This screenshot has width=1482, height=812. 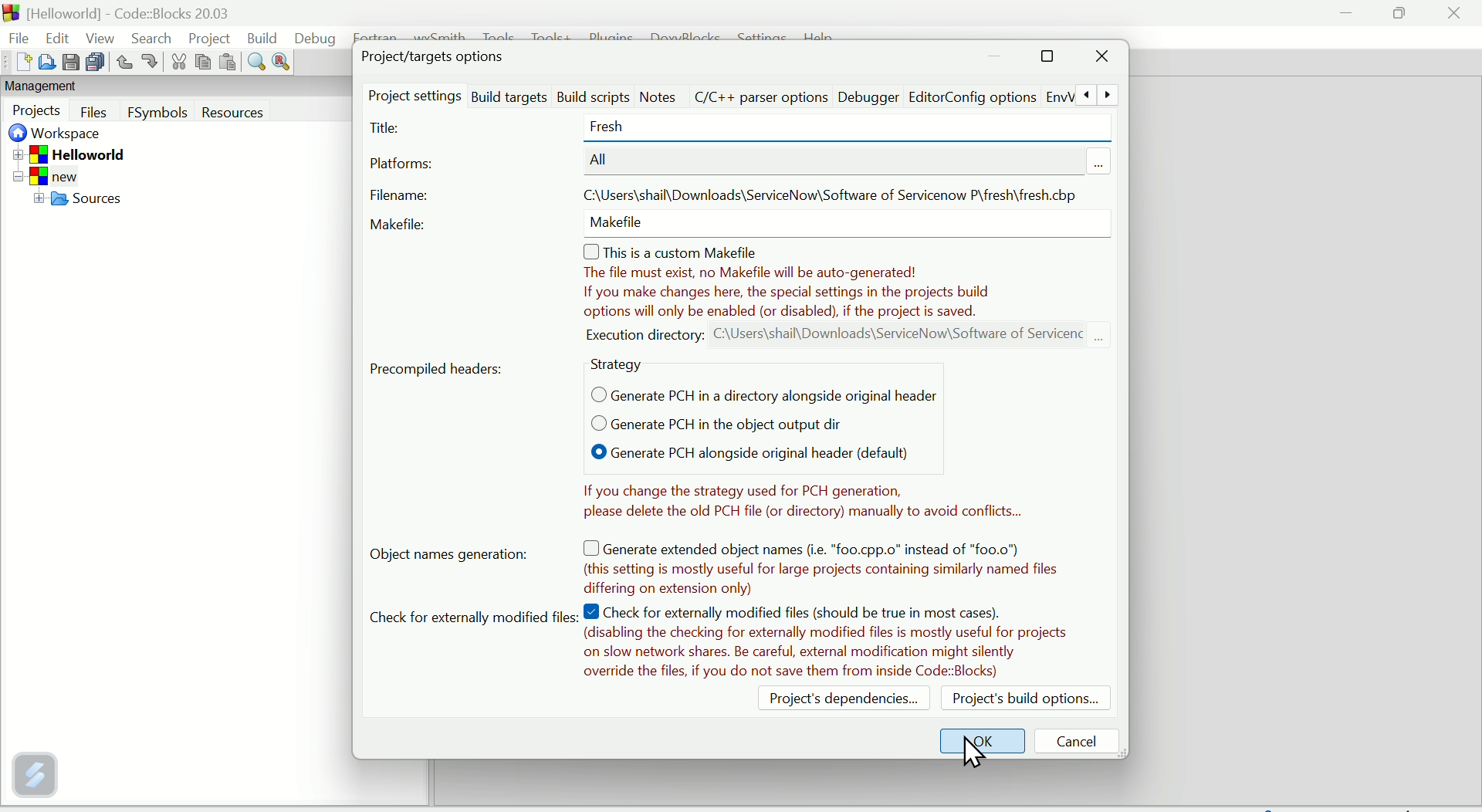 I want to click on Build, so click(x=264, y=36).